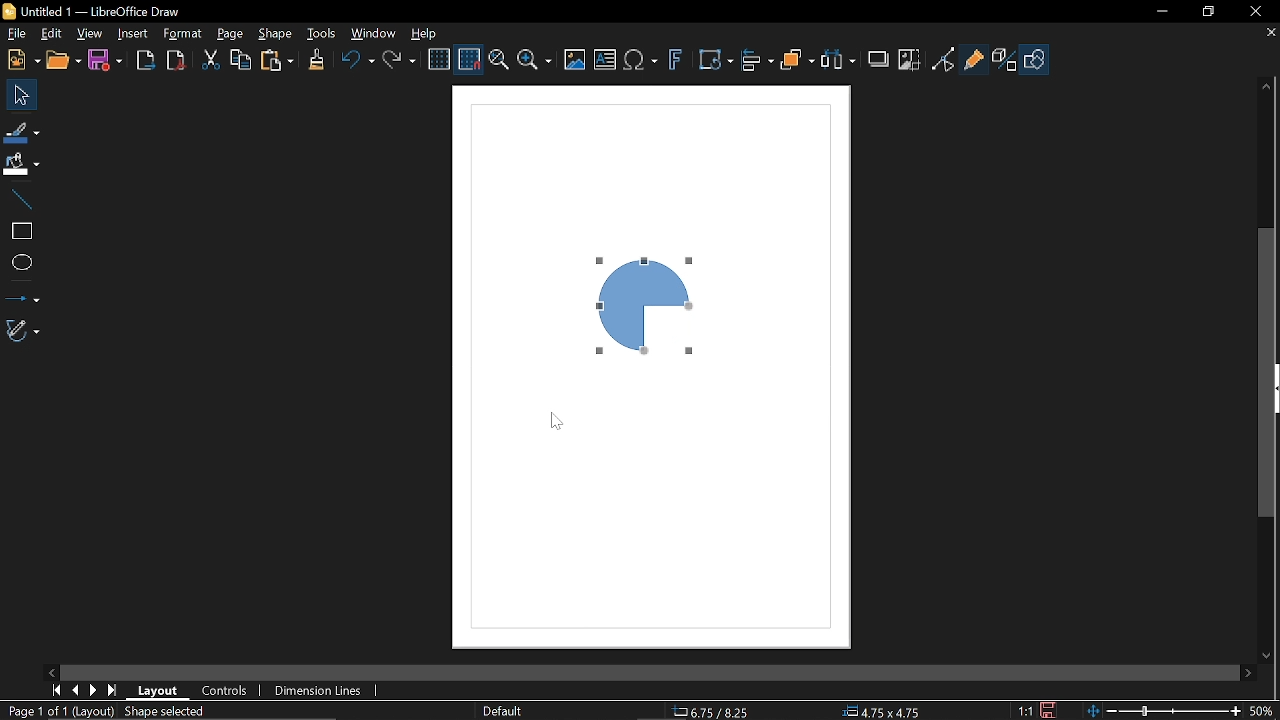 This screenshot has width=1280, height=720. I want to click on Fill color, so click(21, 164).